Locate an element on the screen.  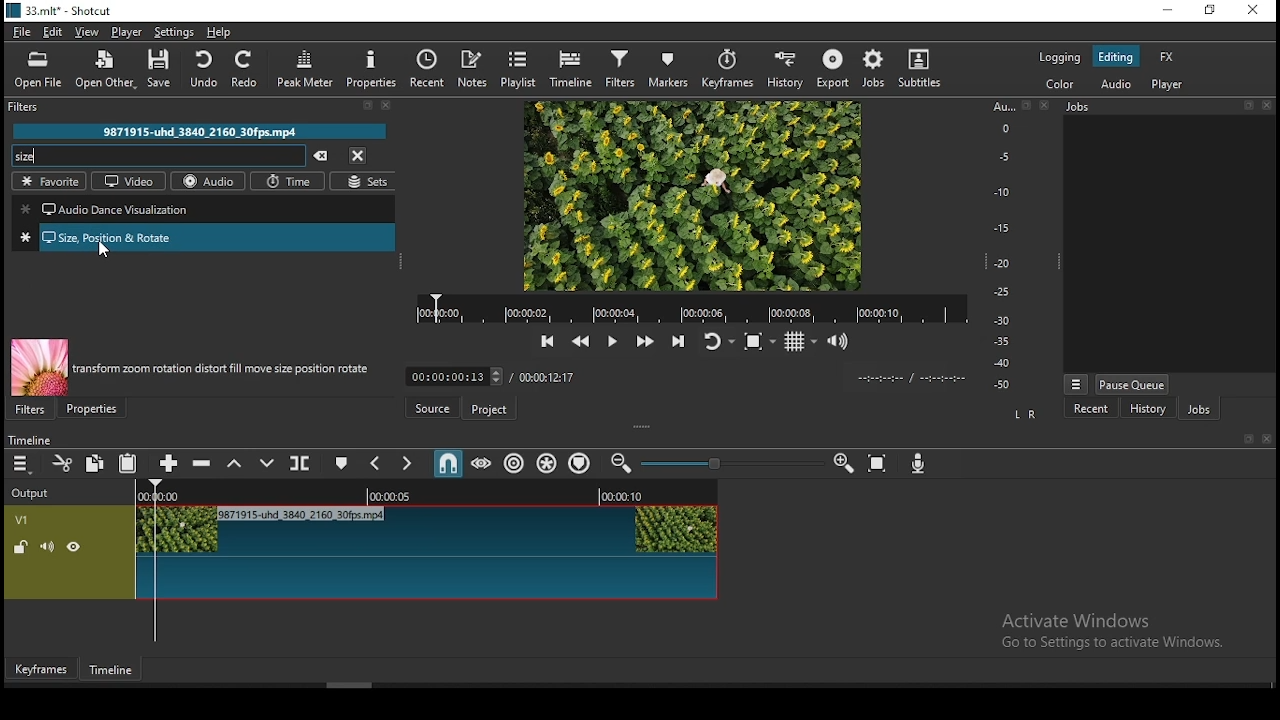
9871915-uhd_3840_2160_30fps.mp4 is located at coordinates (195, 132).